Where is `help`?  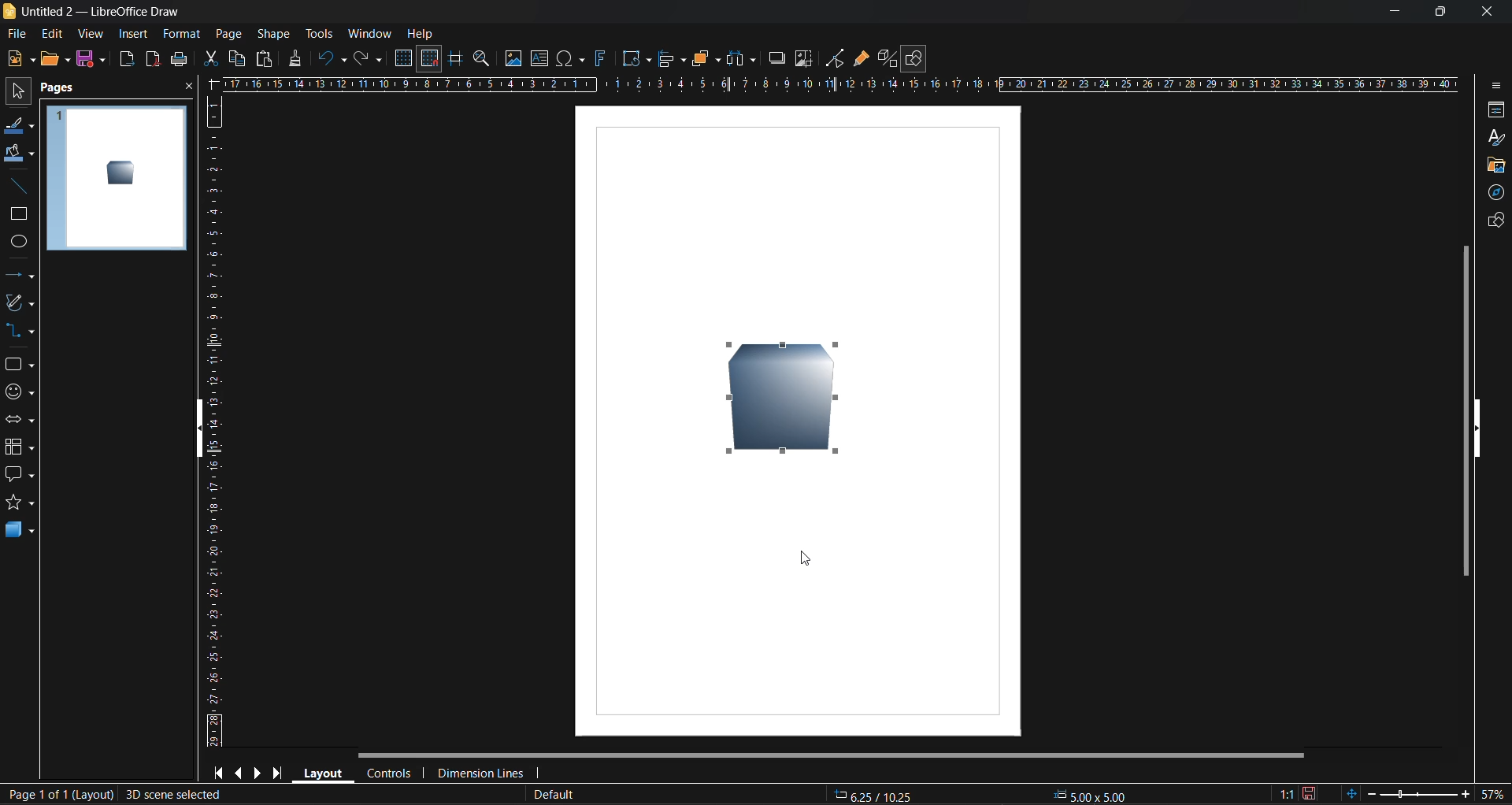
help is located at coordinates (421, 35).